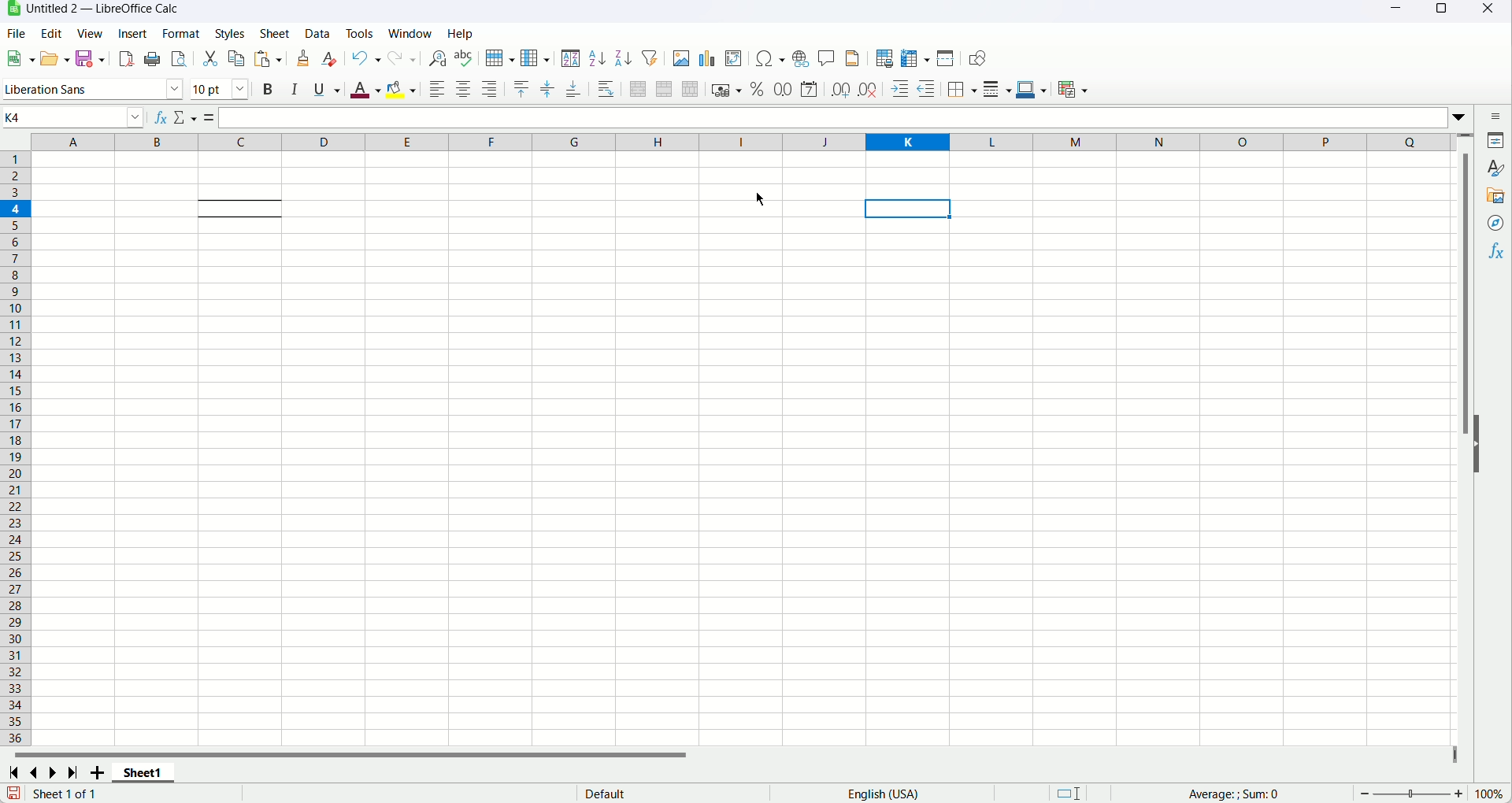 This screenshot has height=803, width=1512. What do you see at coordinates (548, 89) in the screenshot?
I see `Center vertically` at bounding box center [548, 89].